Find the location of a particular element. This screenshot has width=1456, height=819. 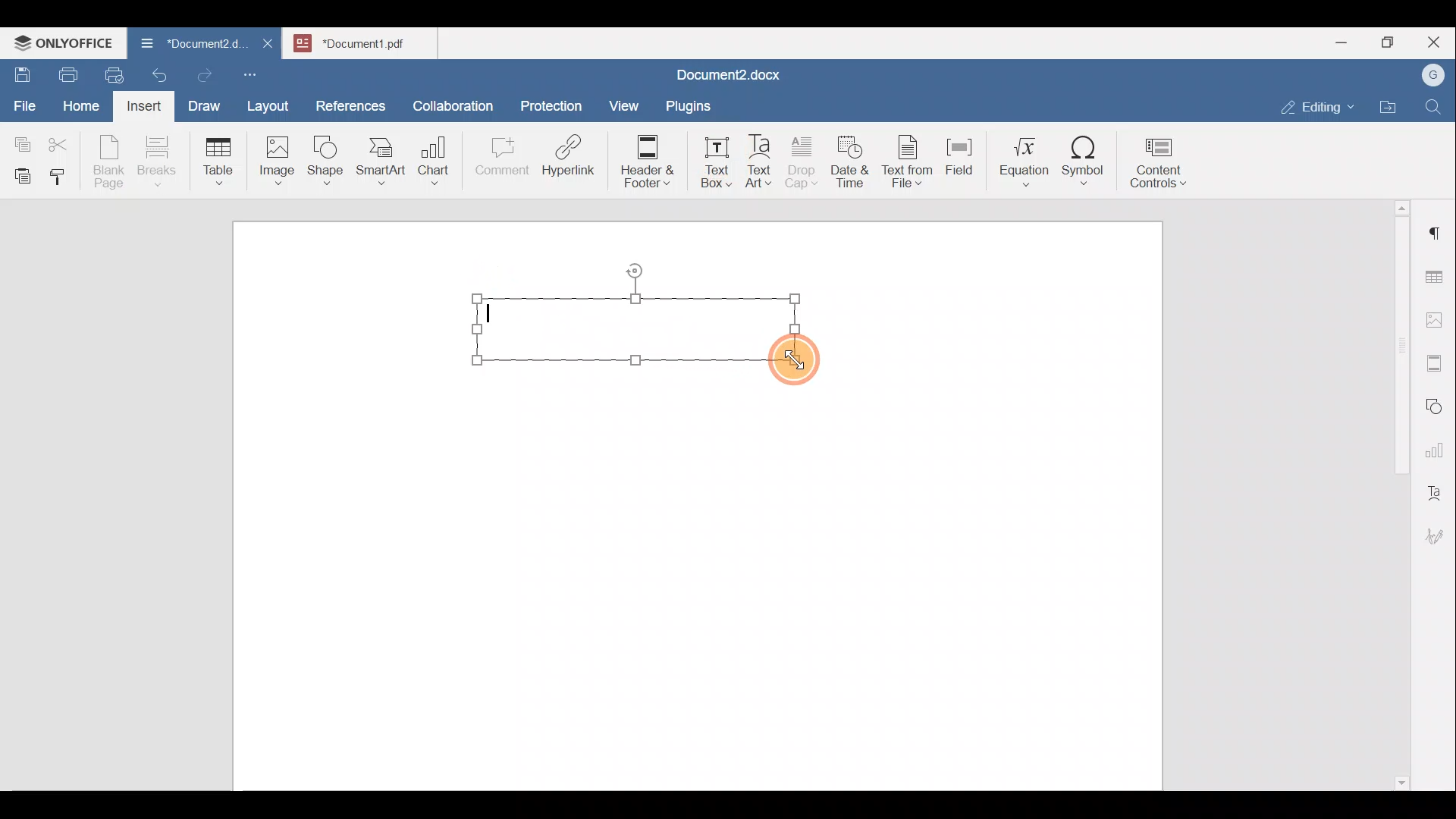

Blank page is located at coordinates (111, 162).